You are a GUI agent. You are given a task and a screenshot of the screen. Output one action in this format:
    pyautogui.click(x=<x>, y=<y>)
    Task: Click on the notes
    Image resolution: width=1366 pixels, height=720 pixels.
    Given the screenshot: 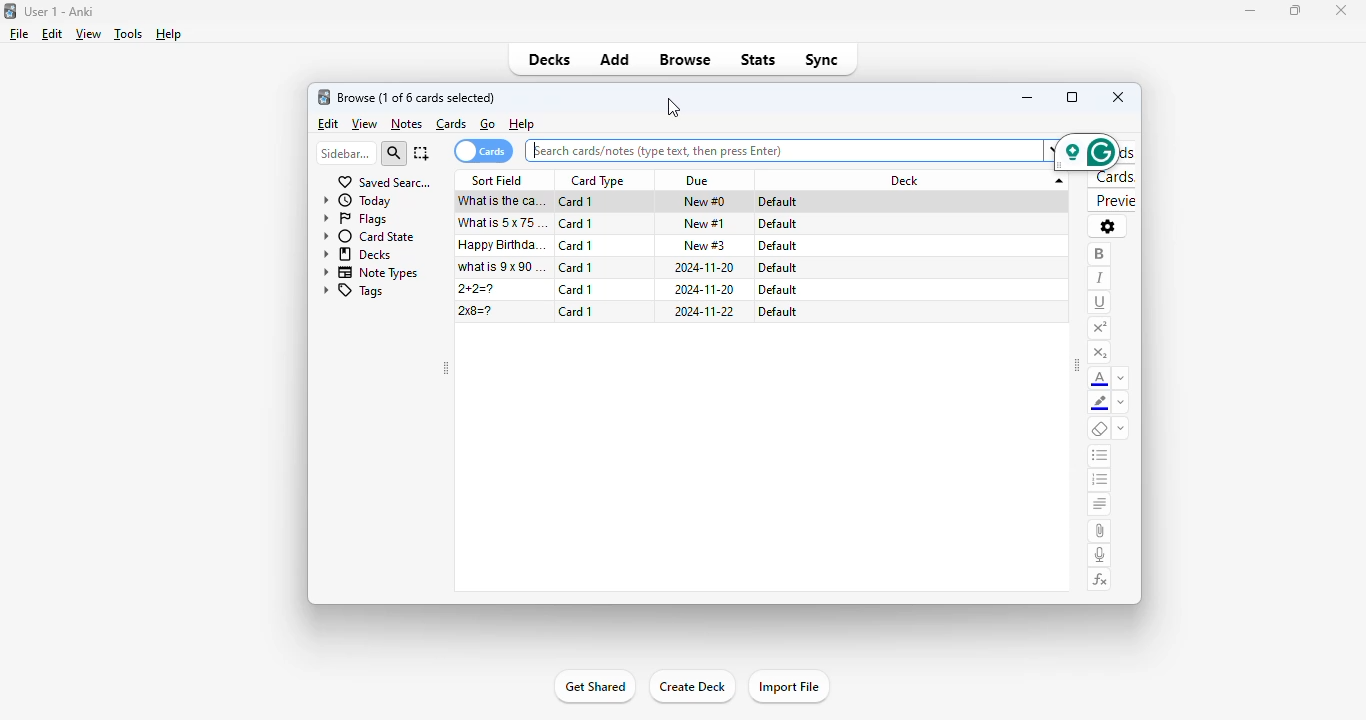 What is the action you would take?
    pyautogui.click(x=407, y=124)
    